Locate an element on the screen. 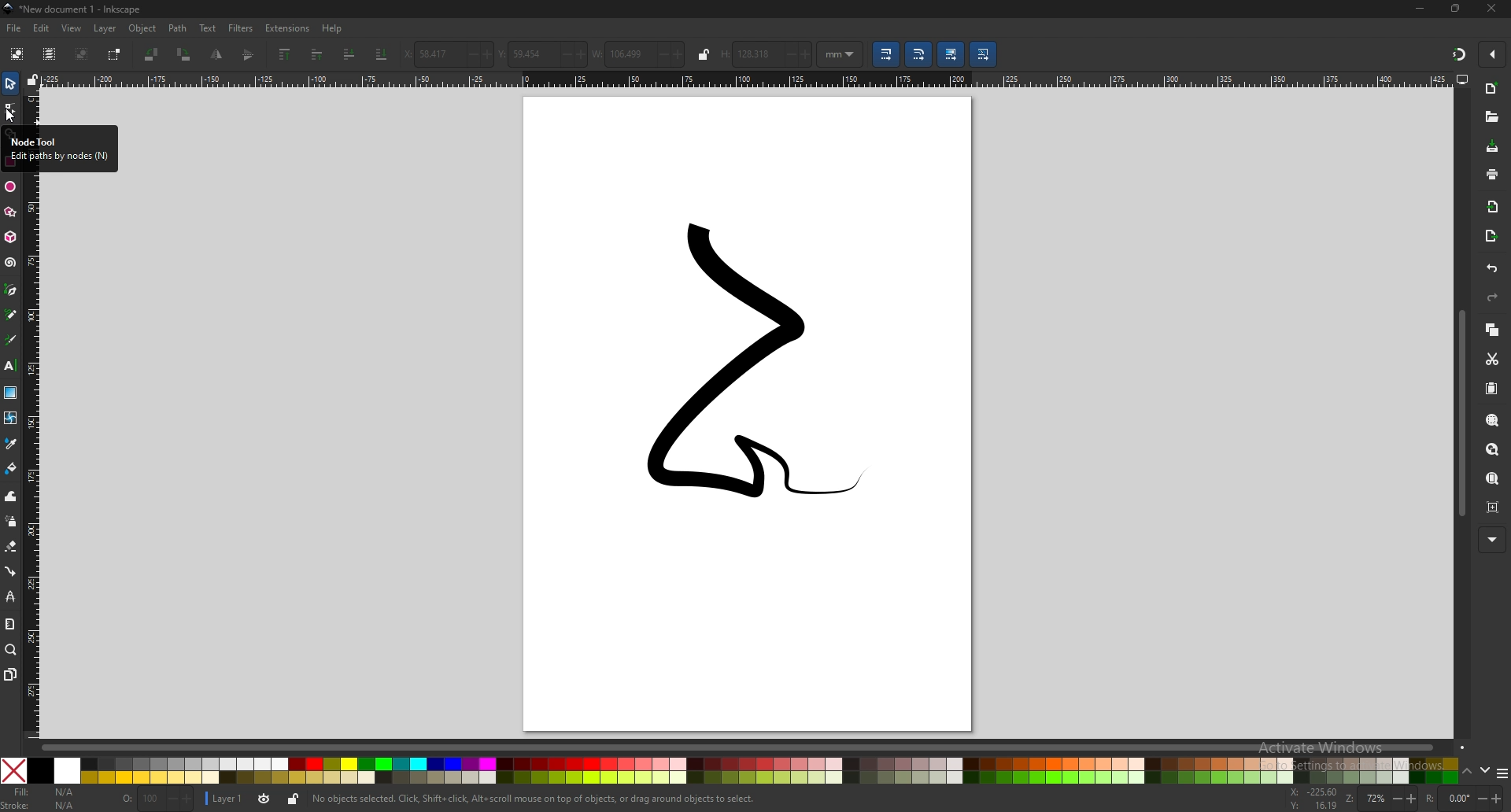  print is located at coordinates (1493, 175).